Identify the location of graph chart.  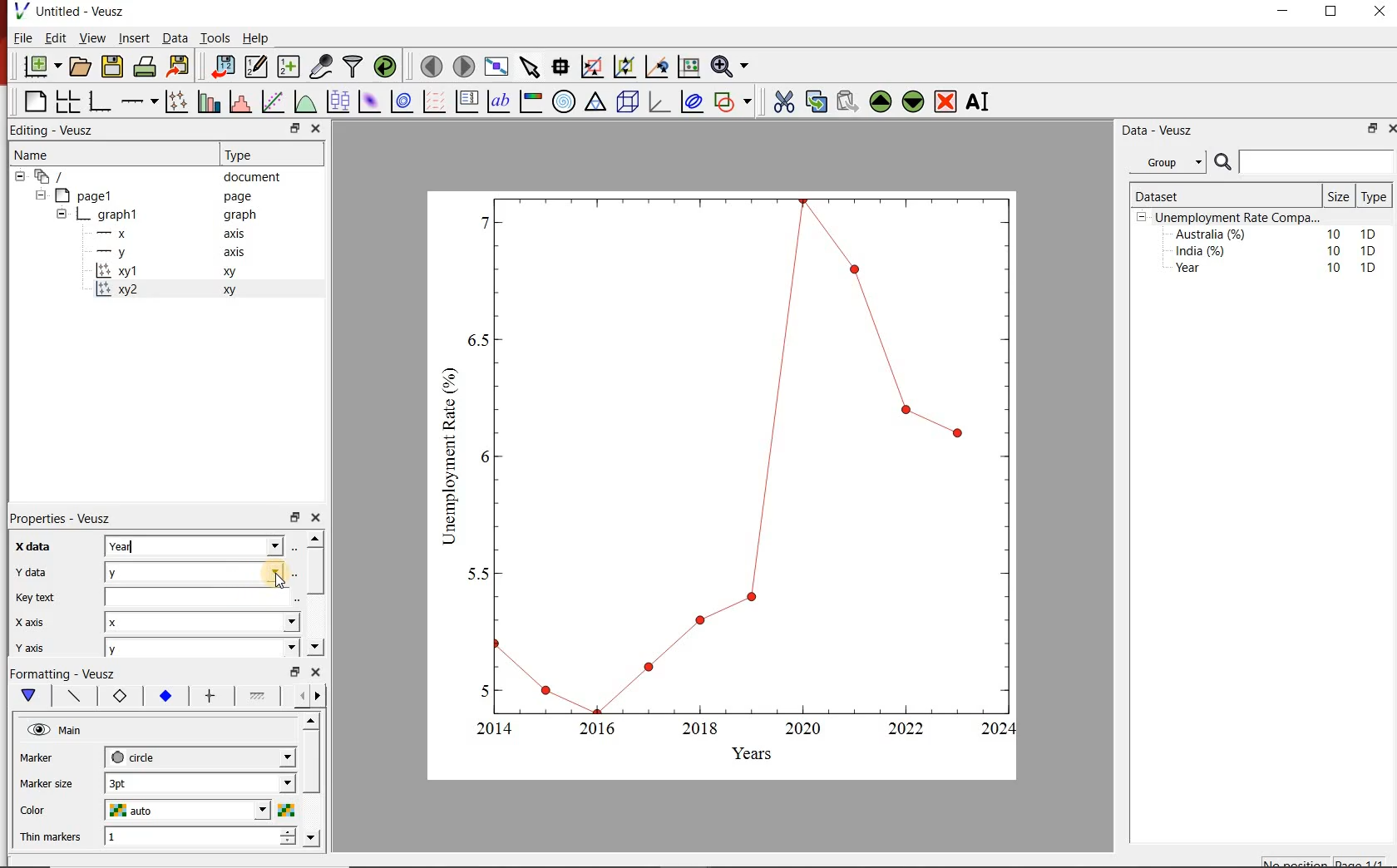
(723, 486).